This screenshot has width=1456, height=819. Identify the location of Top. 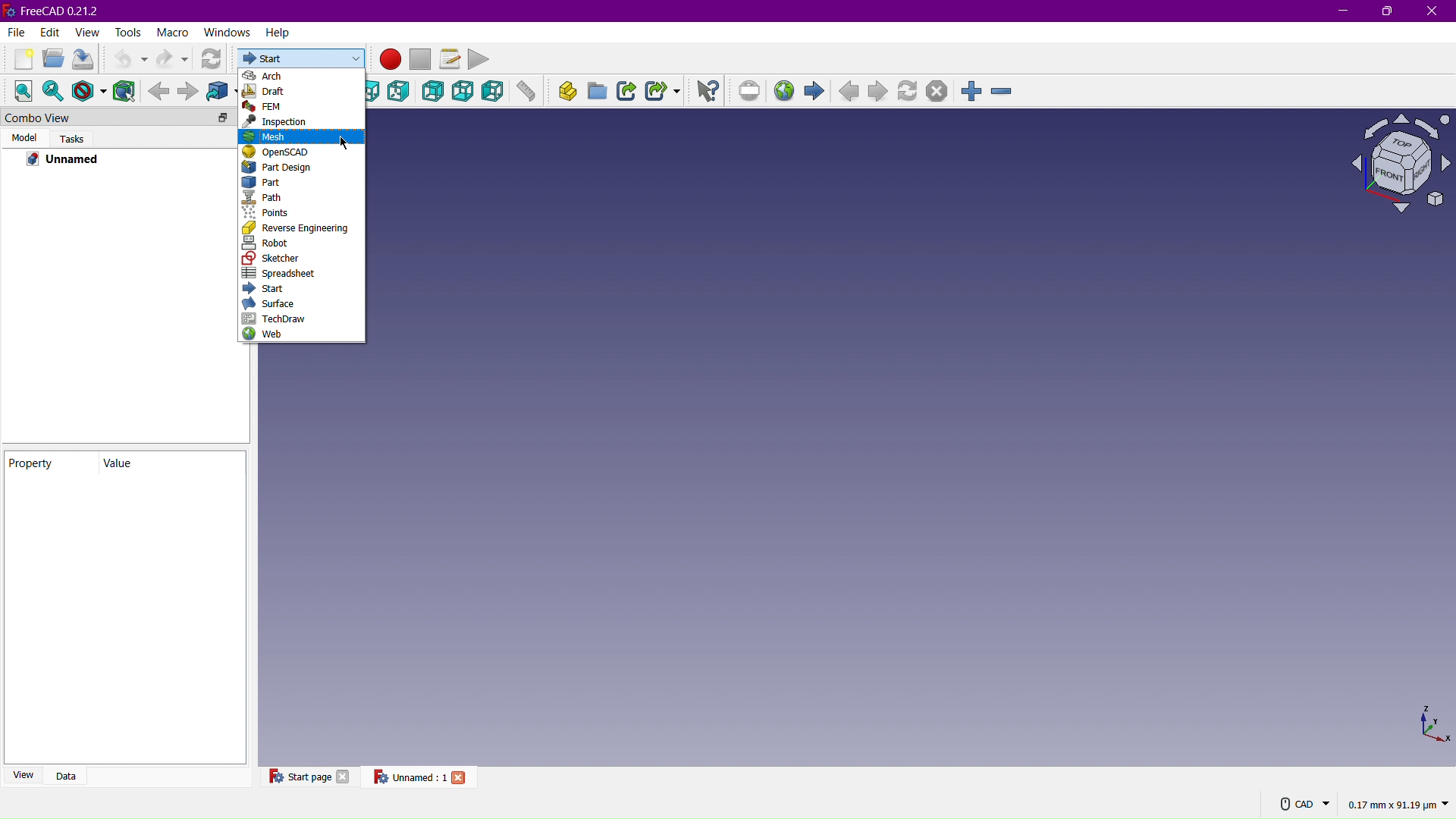
(376, 92).